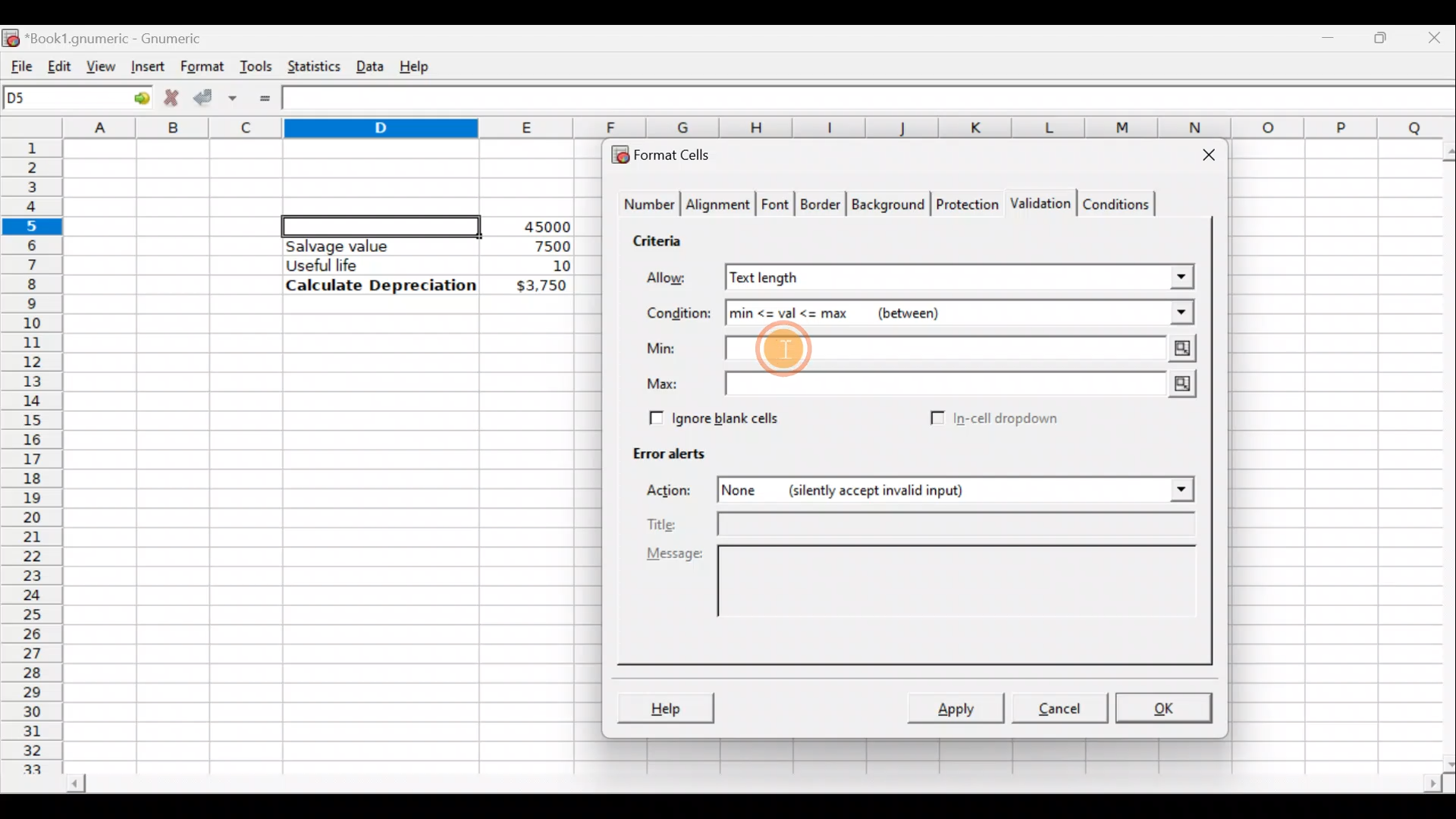  What do you see at coordinates (965, 384) in the screenshot?
I see `Max value` at bounding box center [965, 384].